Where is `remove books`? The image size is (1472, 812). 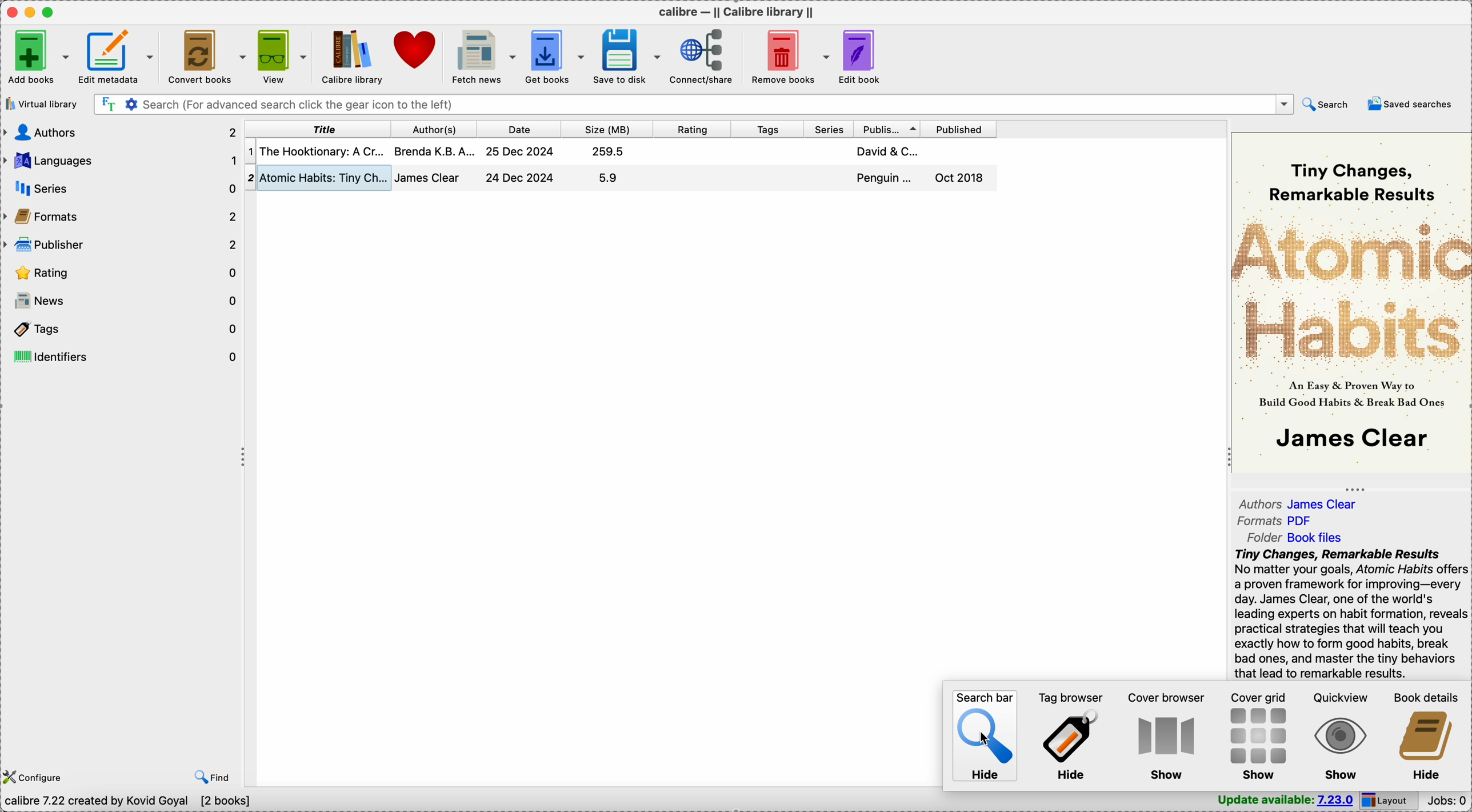 remove books is located at coordinates (789, 54).